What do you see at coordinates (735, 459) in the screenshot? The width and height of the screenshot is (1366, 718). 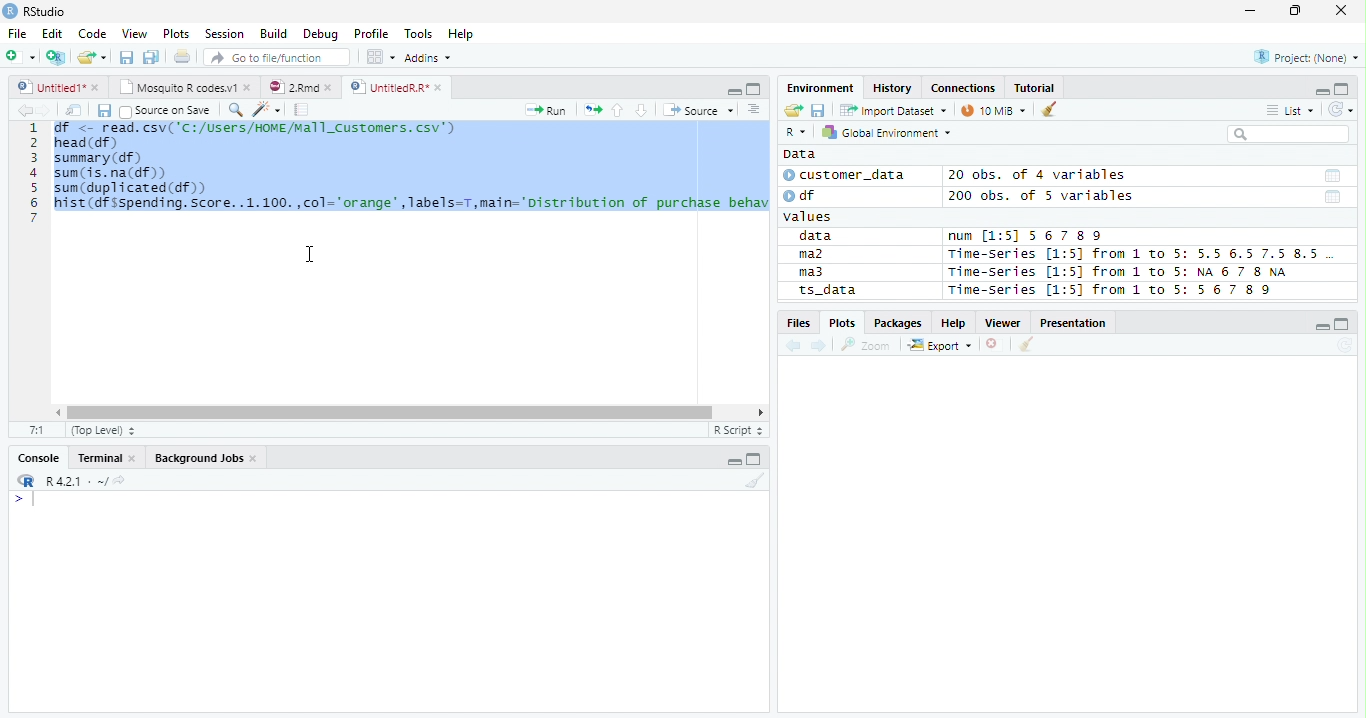 I see `Minimize` at bounding box center [735, 459].